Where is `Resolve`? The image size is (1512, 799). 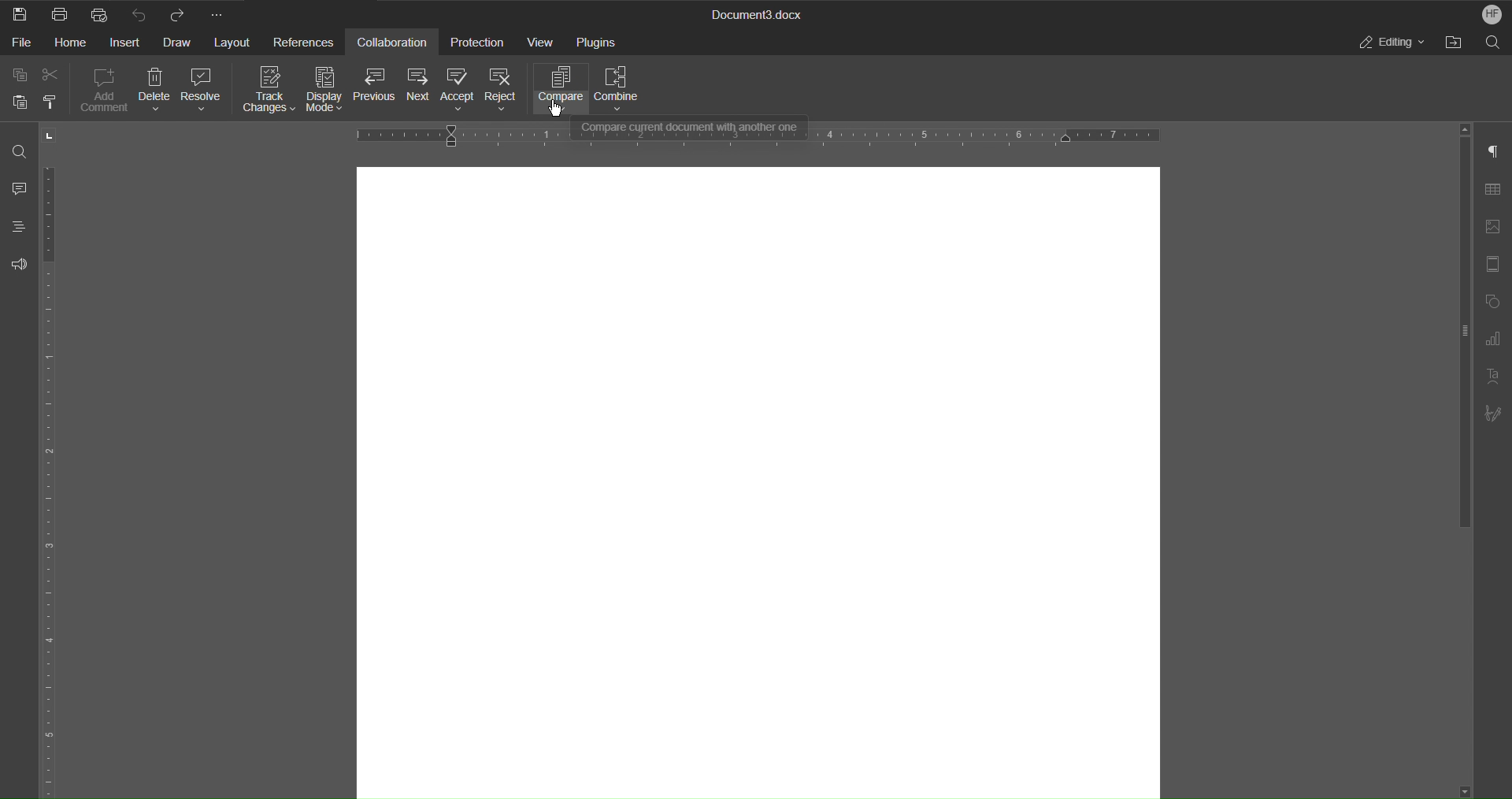 Resolve is located at coordinates (204, 89).